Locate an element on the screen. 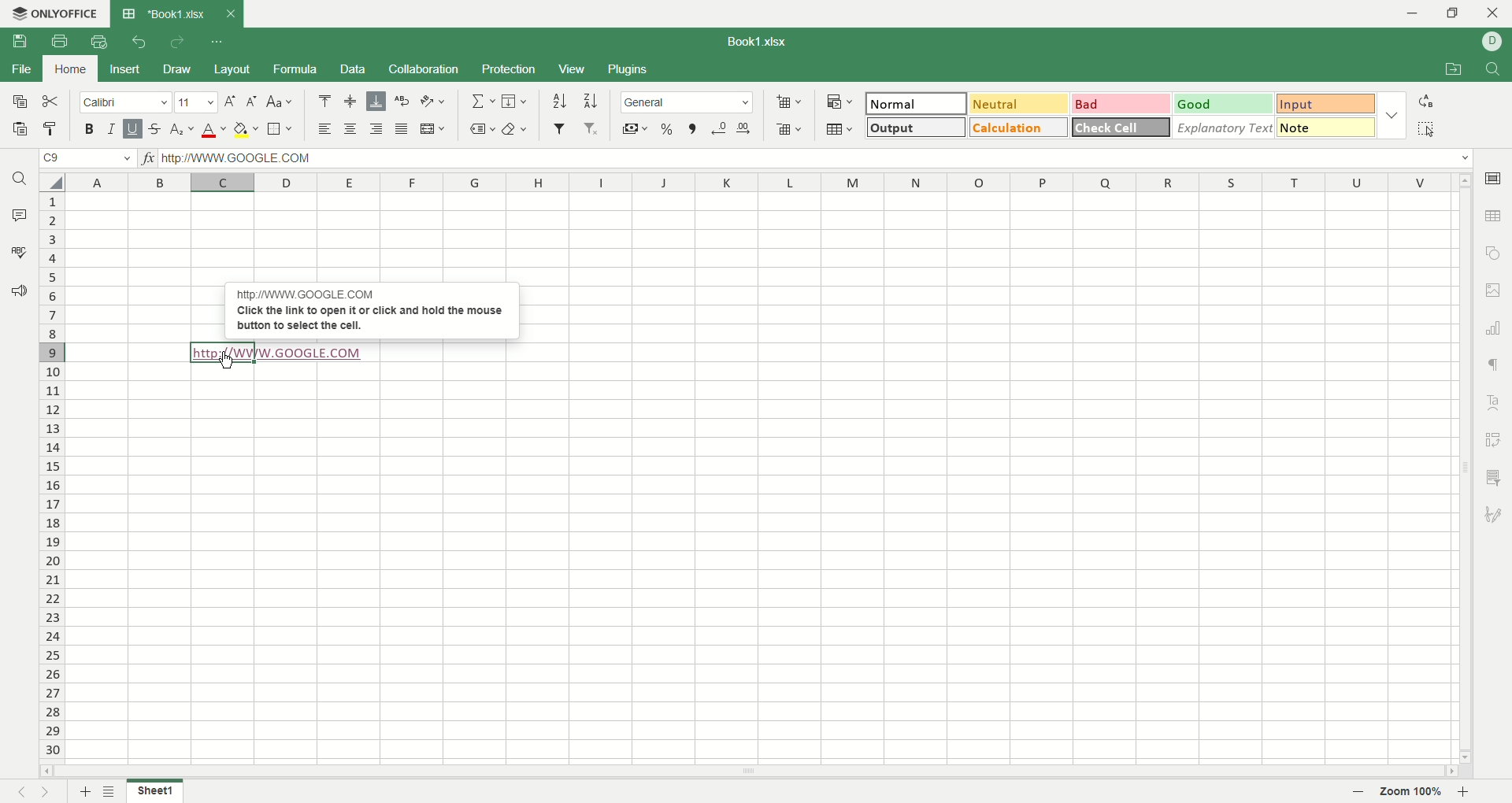 The width and height of the screenshot is (1512, 803). underline is located at coordinates (132, 129).